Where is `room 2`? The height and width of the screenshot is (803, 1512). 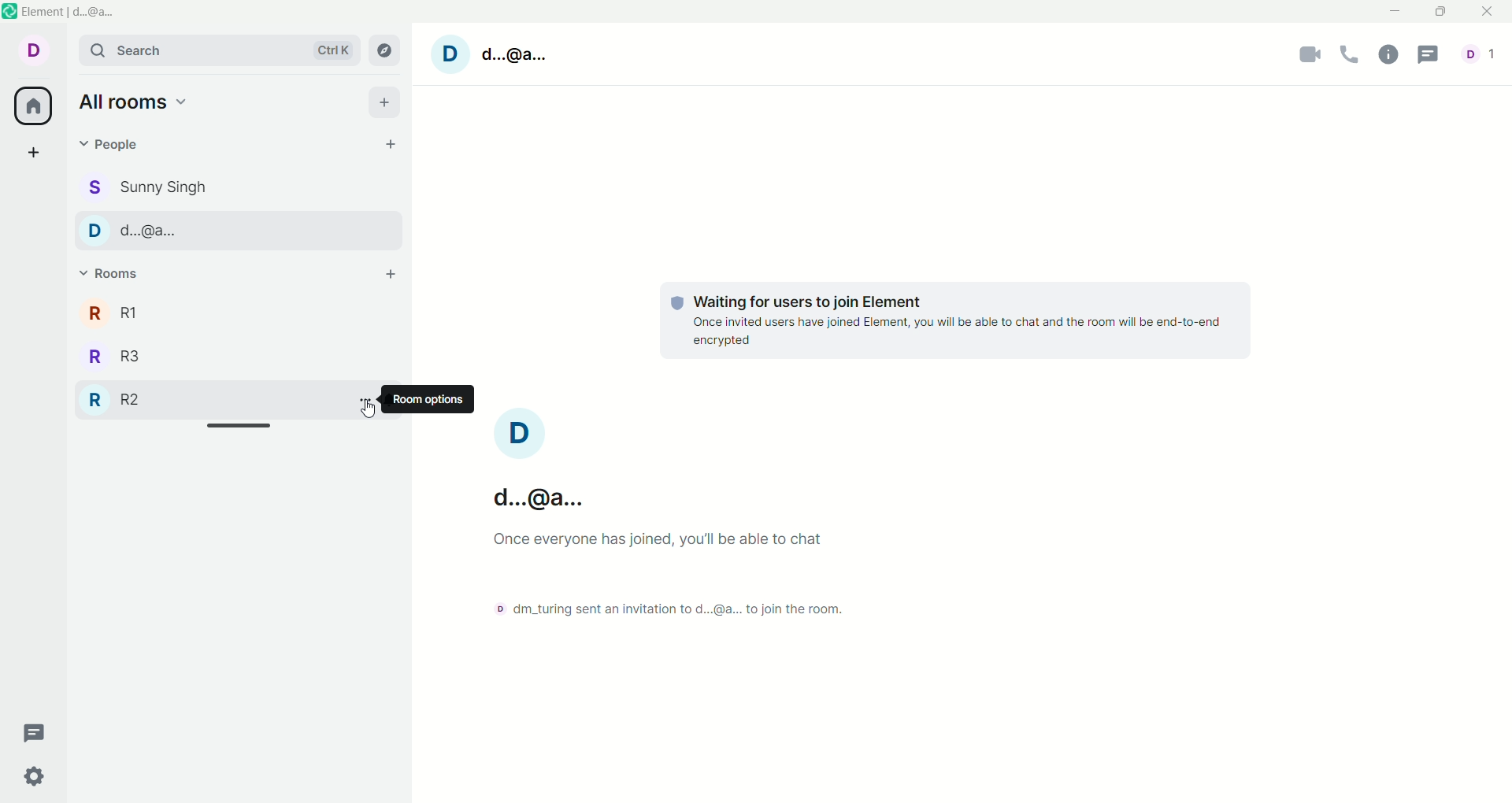
room 2 is located at coordinates (113, 400).